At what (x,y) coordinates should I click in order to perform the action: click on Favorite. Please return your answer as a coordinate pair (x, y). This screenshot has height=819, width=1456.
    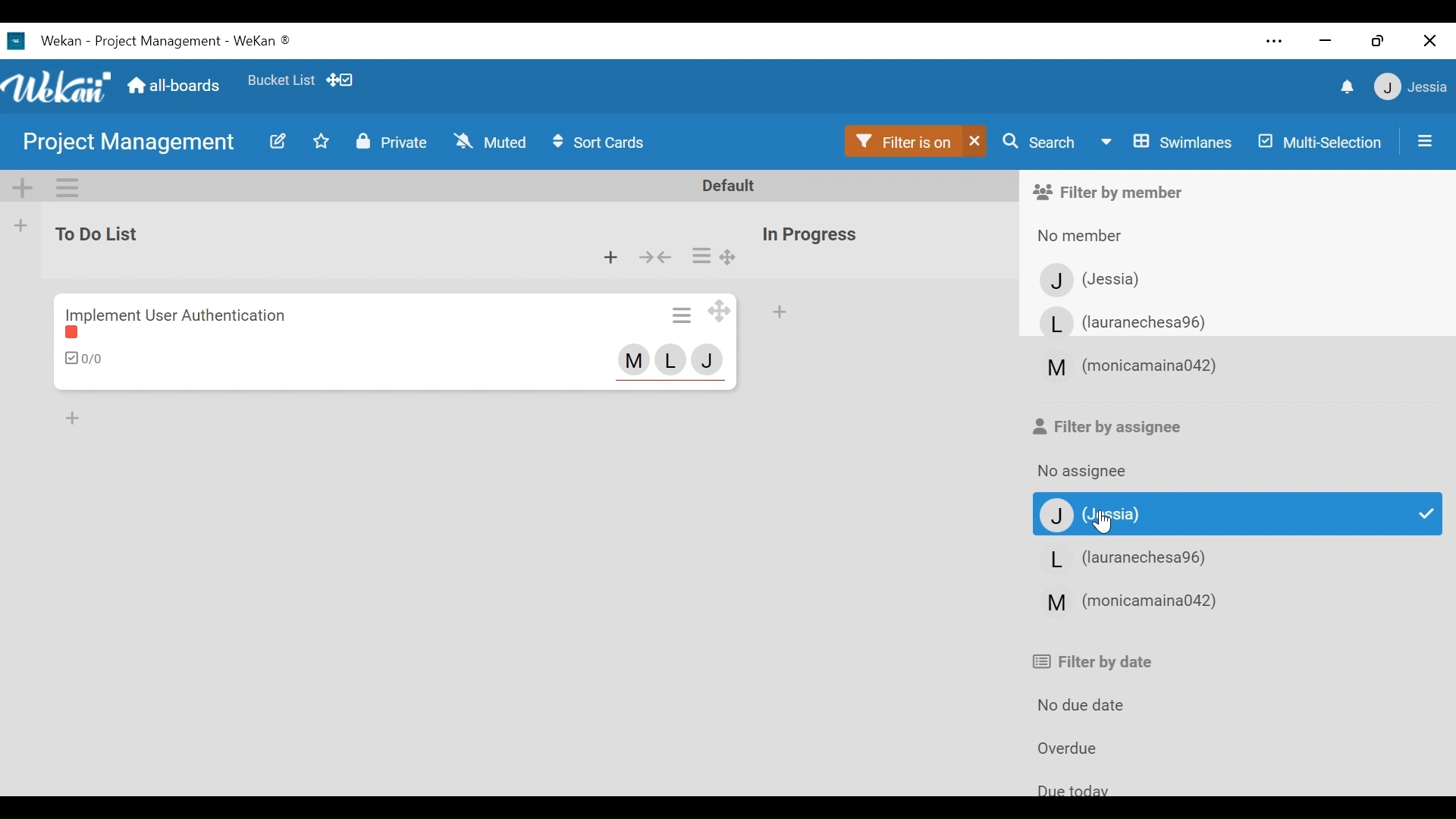
    Looking at the image, I should click on (280, 80).